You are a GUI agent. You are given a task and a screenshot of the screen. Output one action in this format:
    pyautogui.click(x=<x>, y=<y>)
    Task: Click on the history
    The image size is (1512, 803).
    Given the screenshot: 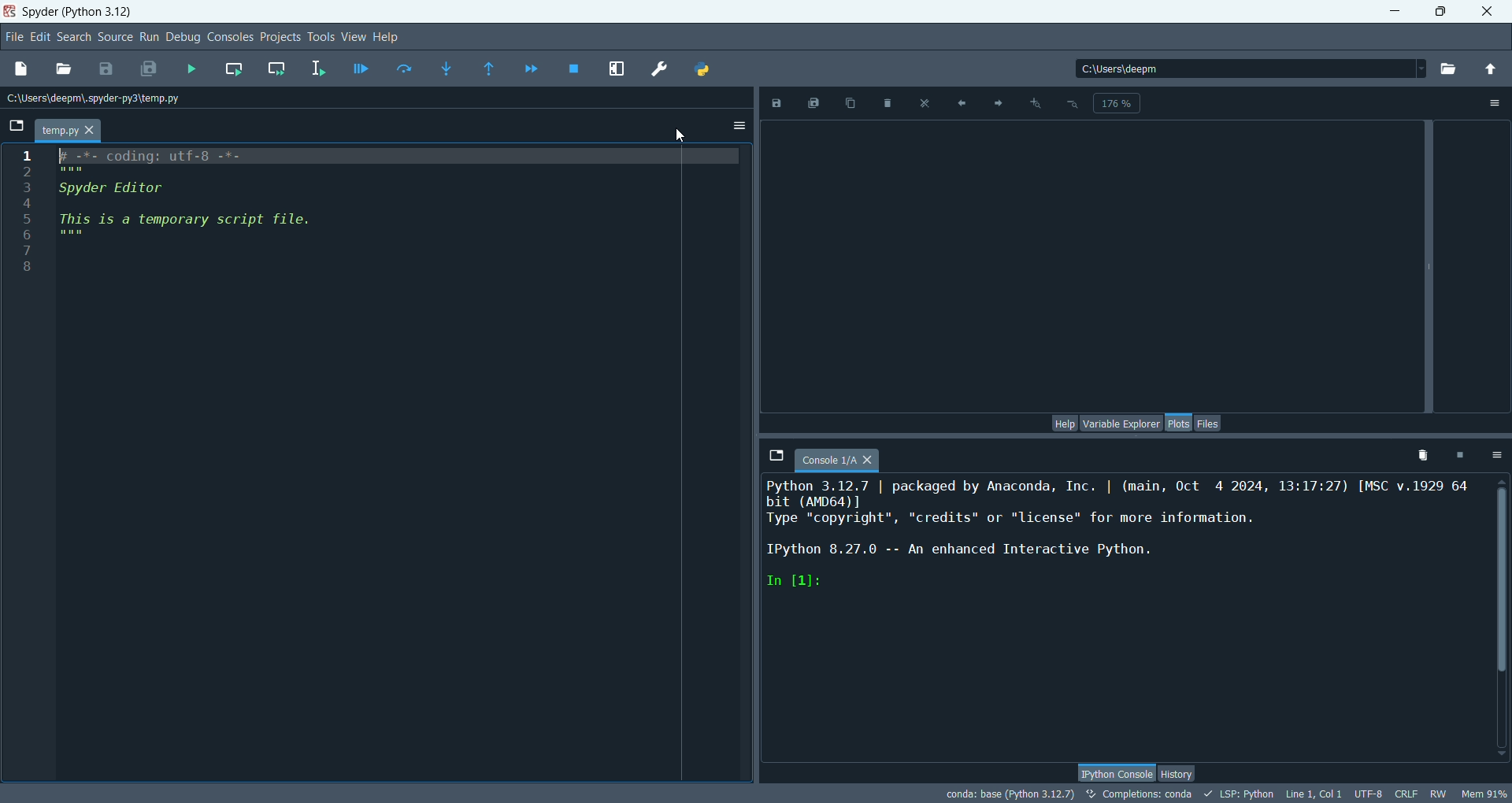 What is the action you would take?
    pyautogui.click(x=1180, y=775)
    